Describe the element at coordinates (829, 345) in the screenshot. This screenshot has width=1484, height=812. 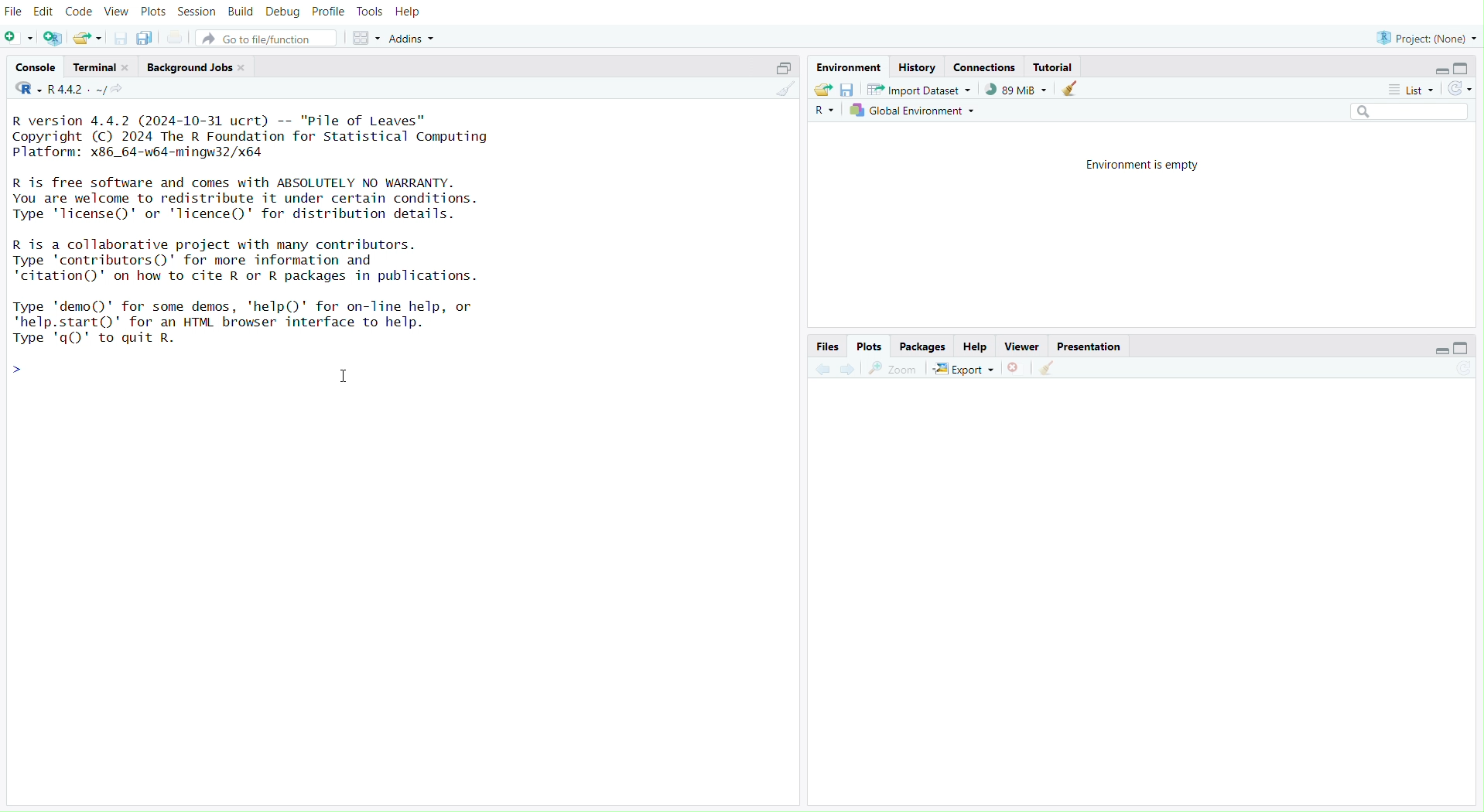
I see `Files` at that location.